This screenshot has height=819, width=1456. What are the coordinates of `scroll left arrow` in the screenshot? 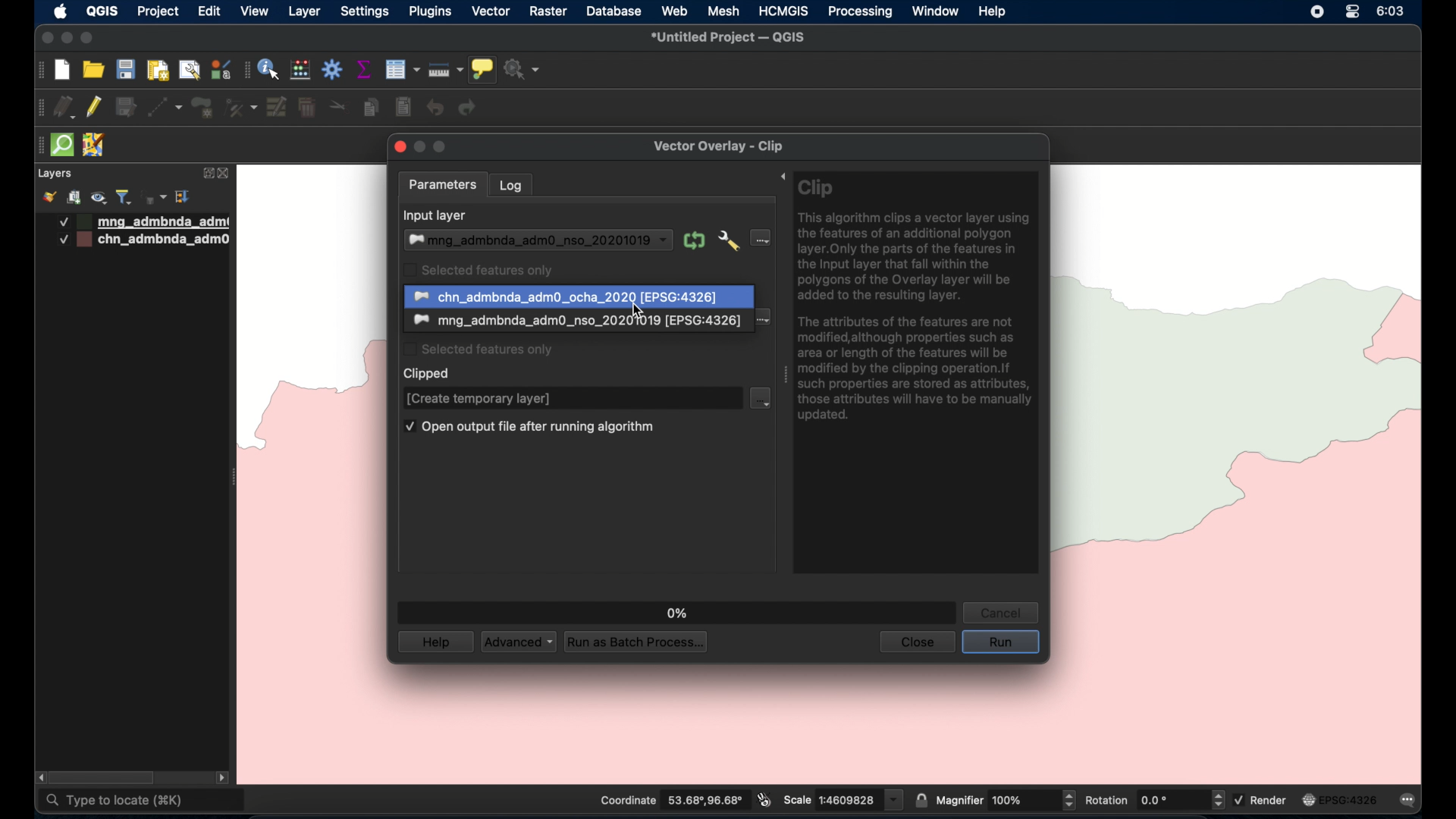 It's located at (38, 777).